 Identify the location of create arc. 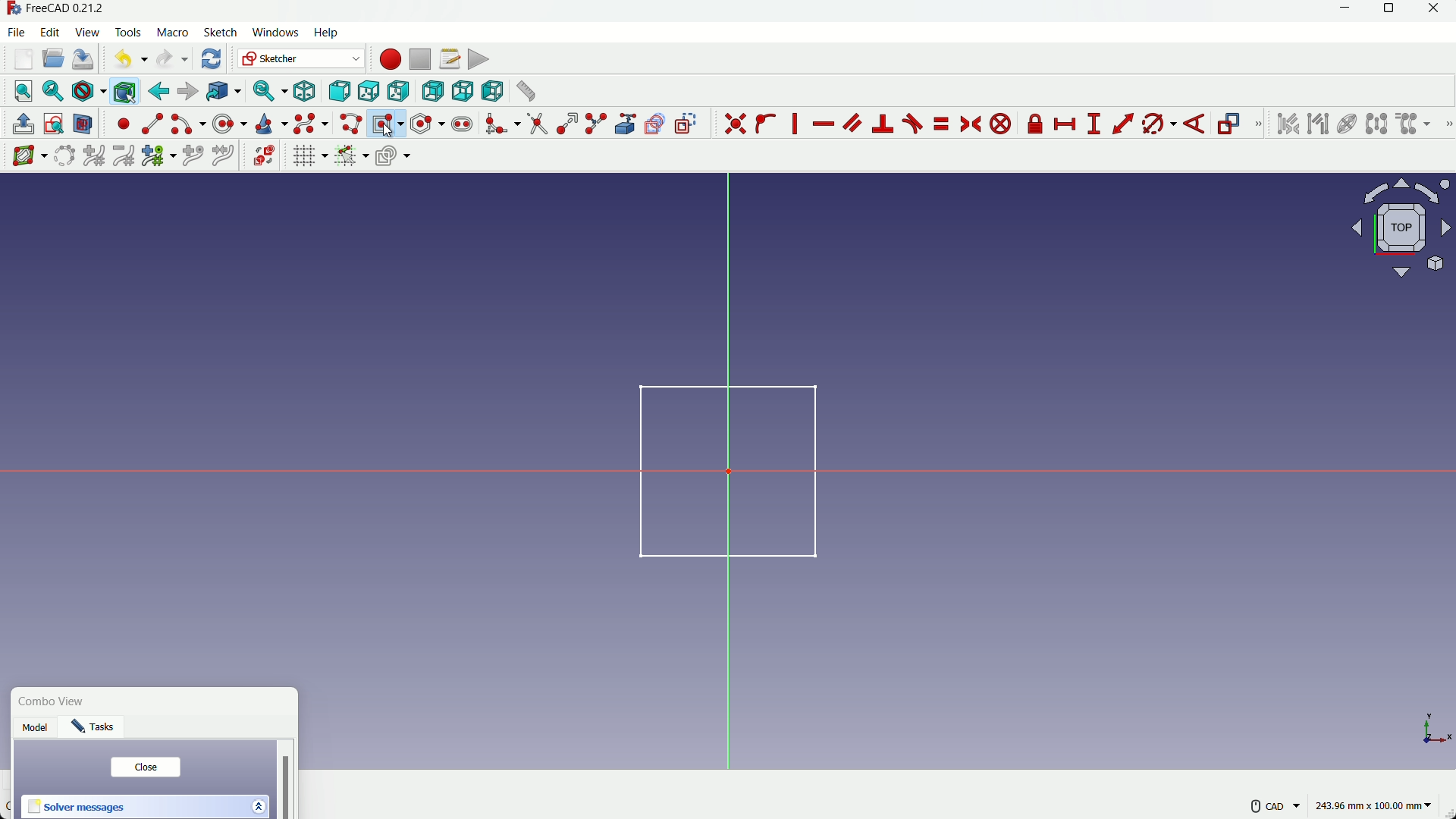
(188, 124).